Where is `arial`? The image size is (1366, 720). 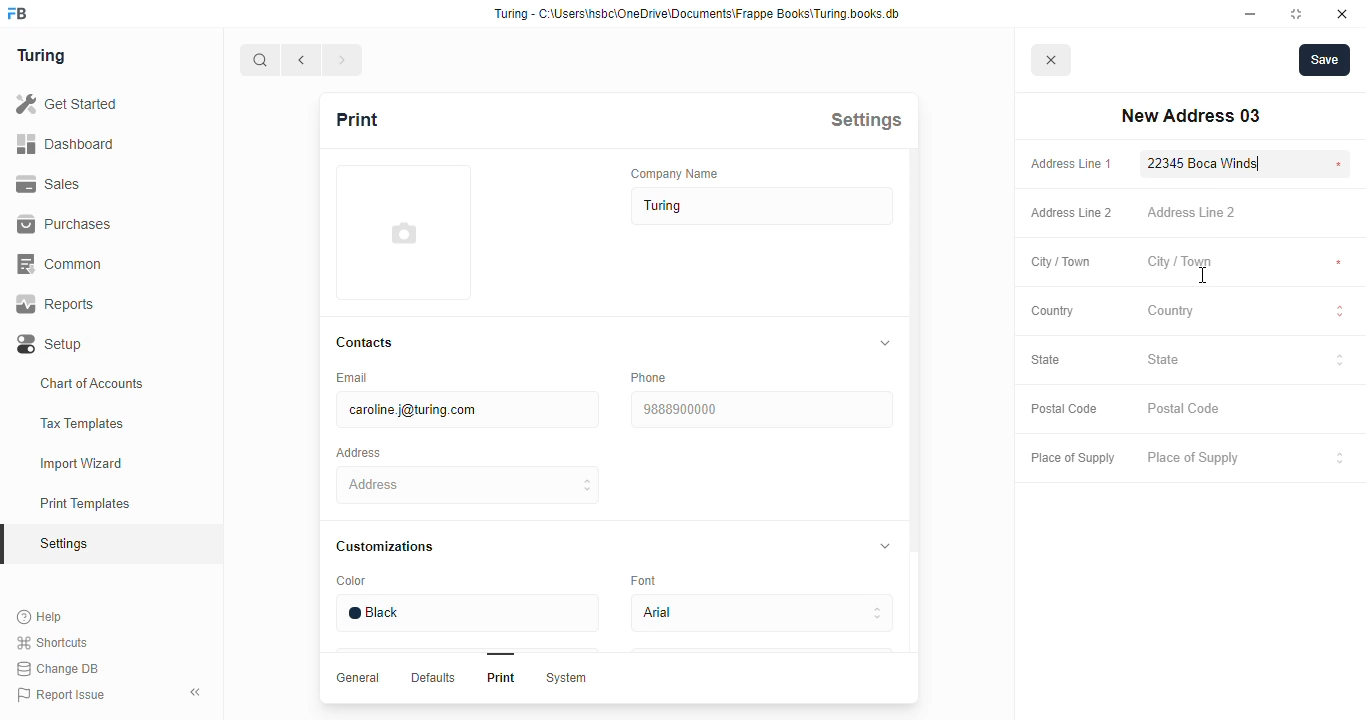
arial is located at coordinates (761, 614).